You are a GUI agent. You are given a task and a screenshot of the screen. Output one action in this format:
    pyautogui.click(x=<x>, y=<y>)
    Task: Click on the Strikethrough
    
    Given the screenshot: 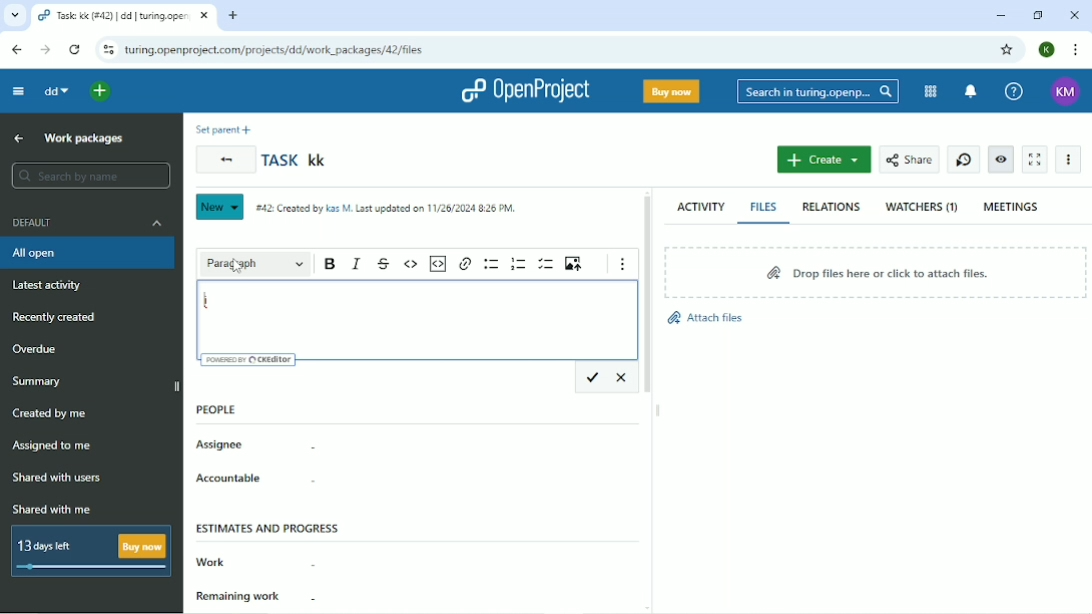 What is the action you would take?
    pyautogui.click(x=385, y=264)
    